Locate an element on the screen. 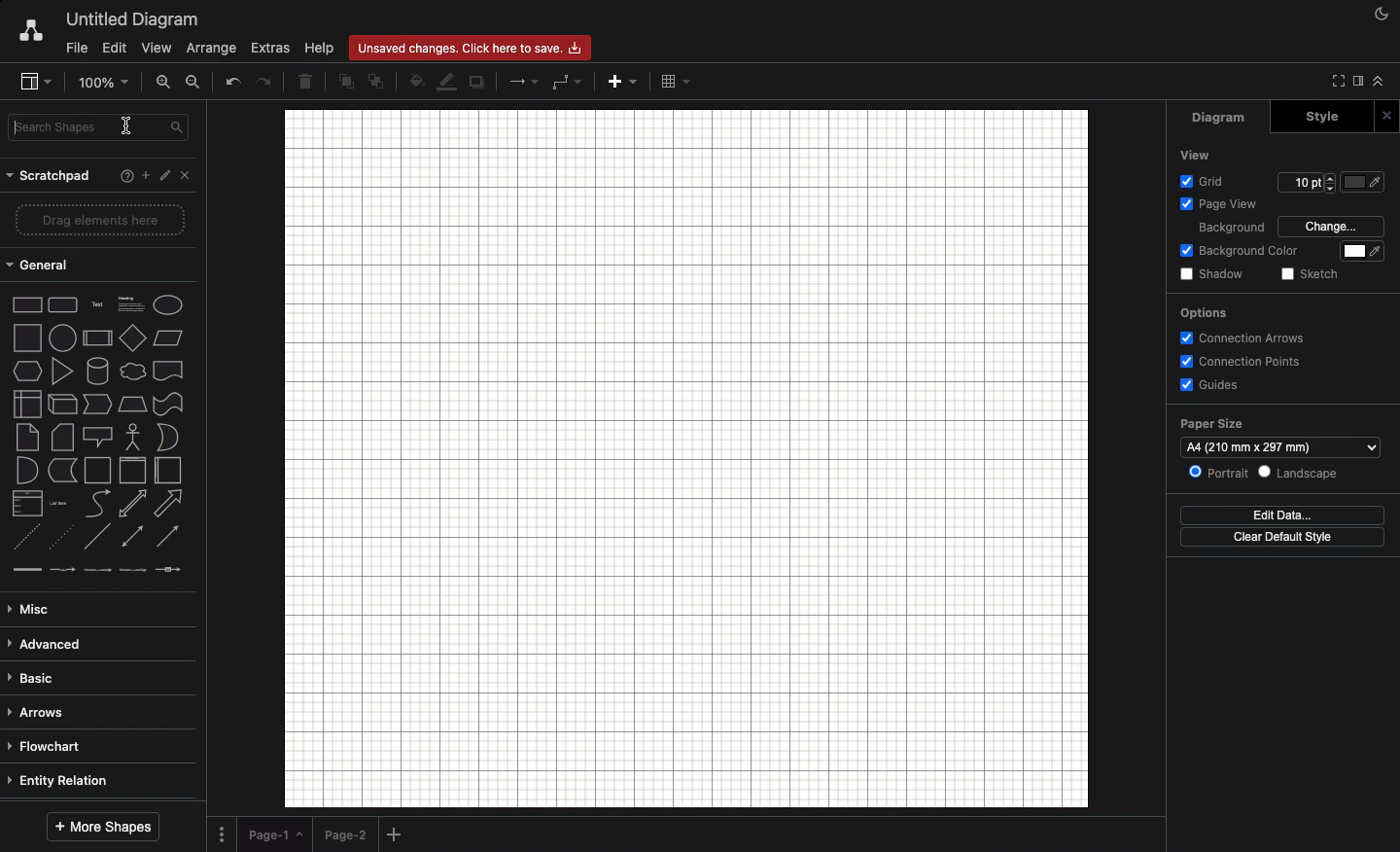 The image size is (1400, 852). Shadow is located at coordinates (1212, 274).